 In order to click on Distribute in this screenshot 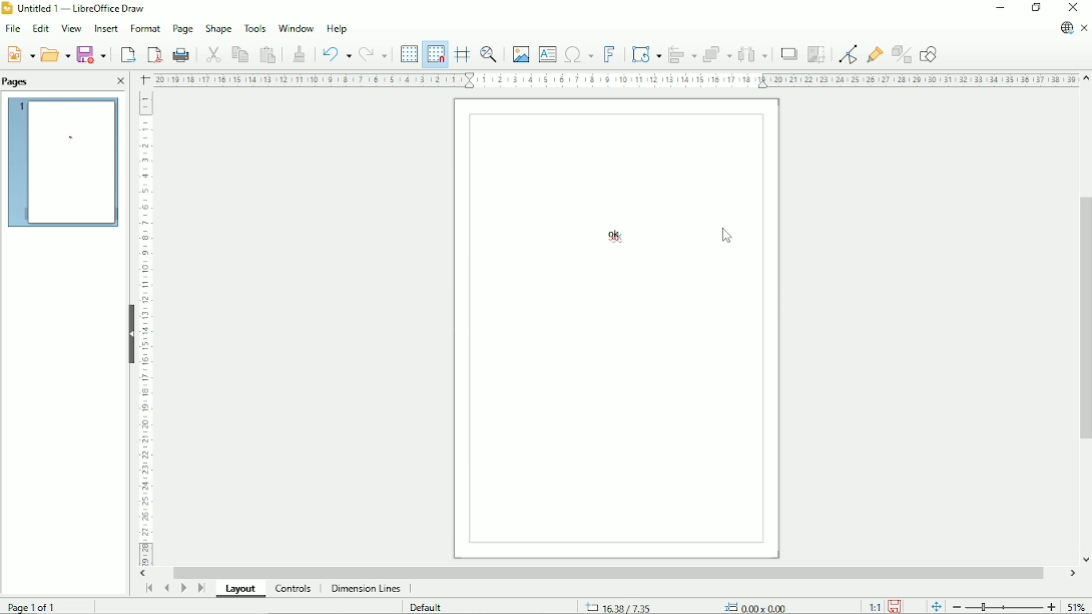, I will do `click(754, 54)`.